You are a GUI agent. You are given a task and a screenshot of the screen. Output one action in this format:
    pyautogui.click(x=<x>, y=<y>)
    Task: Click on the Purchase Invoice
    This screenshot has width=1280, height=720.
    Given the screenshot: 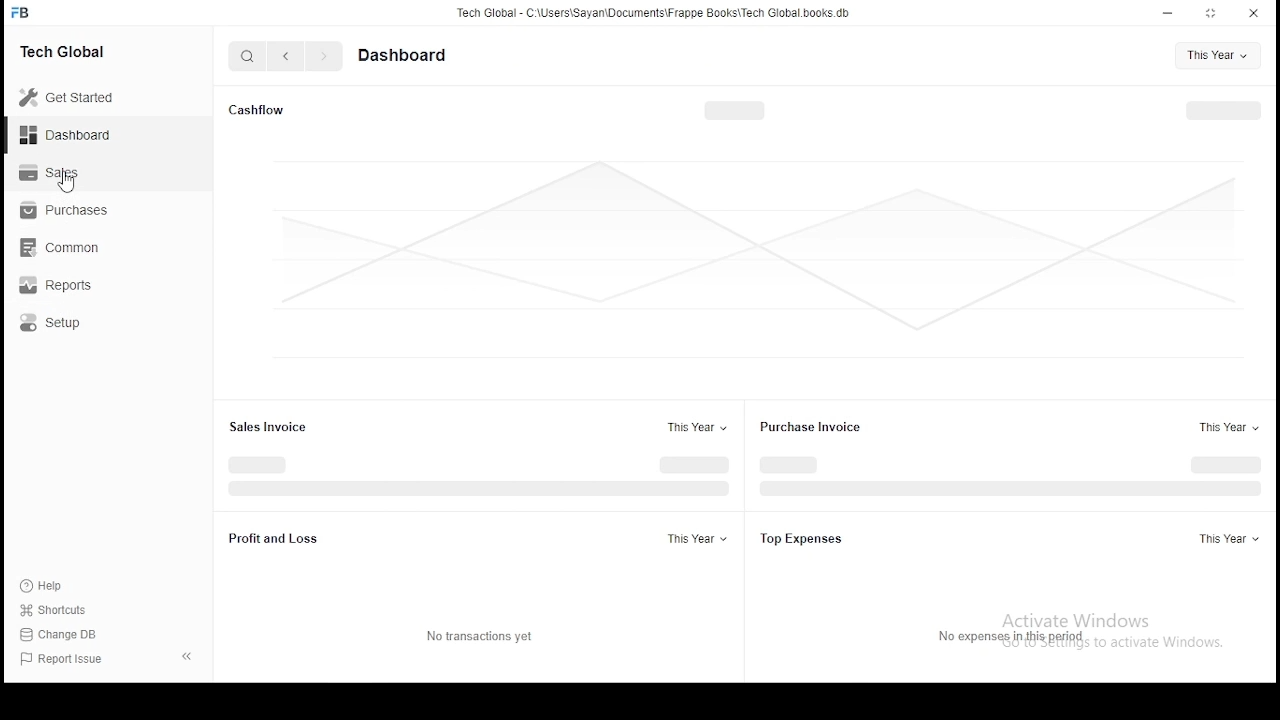 What is the action you would take?
    pyautogui.click(x=816, y=428)
    